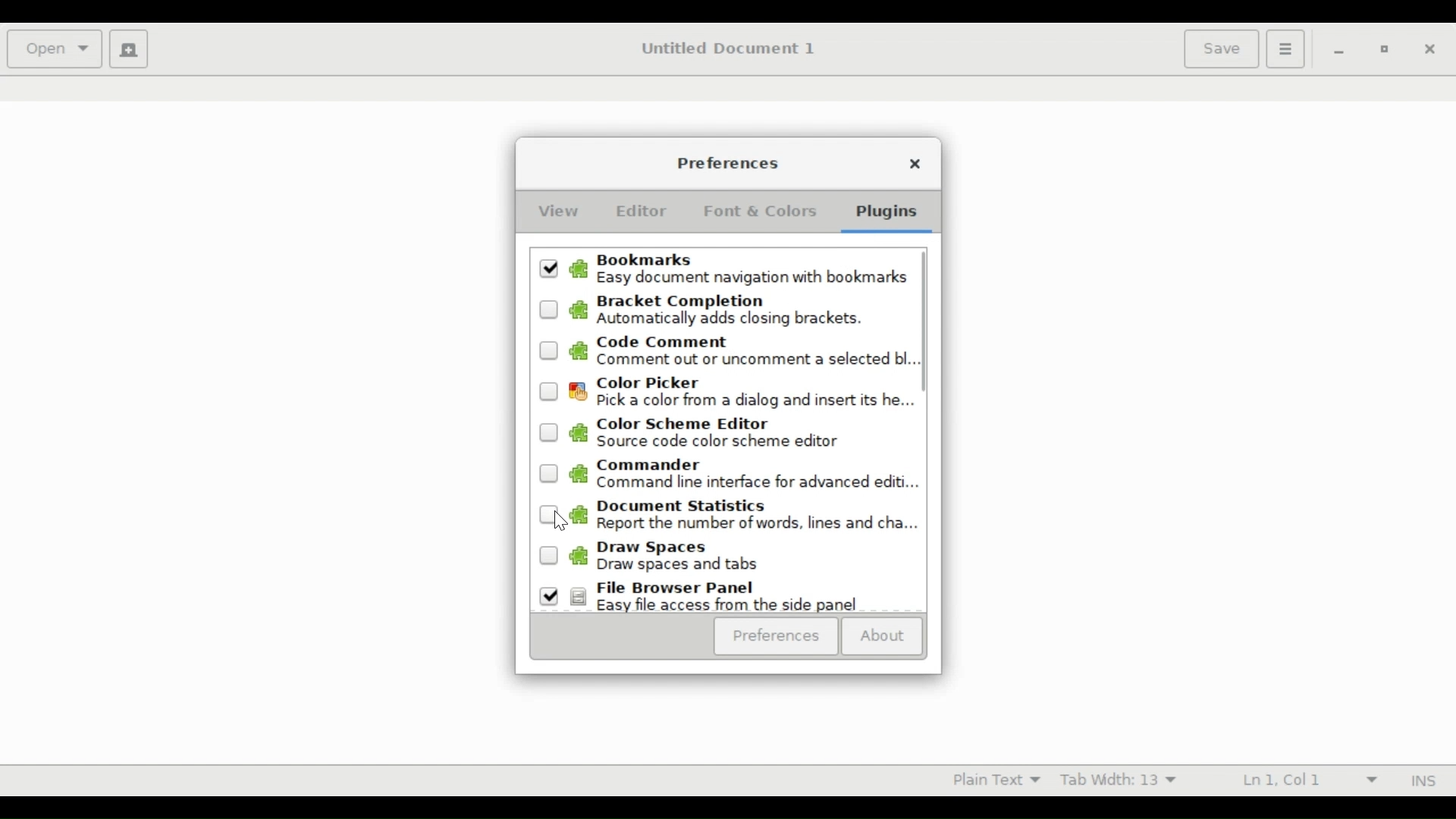  I want to click on Selected, so click(551, 268).